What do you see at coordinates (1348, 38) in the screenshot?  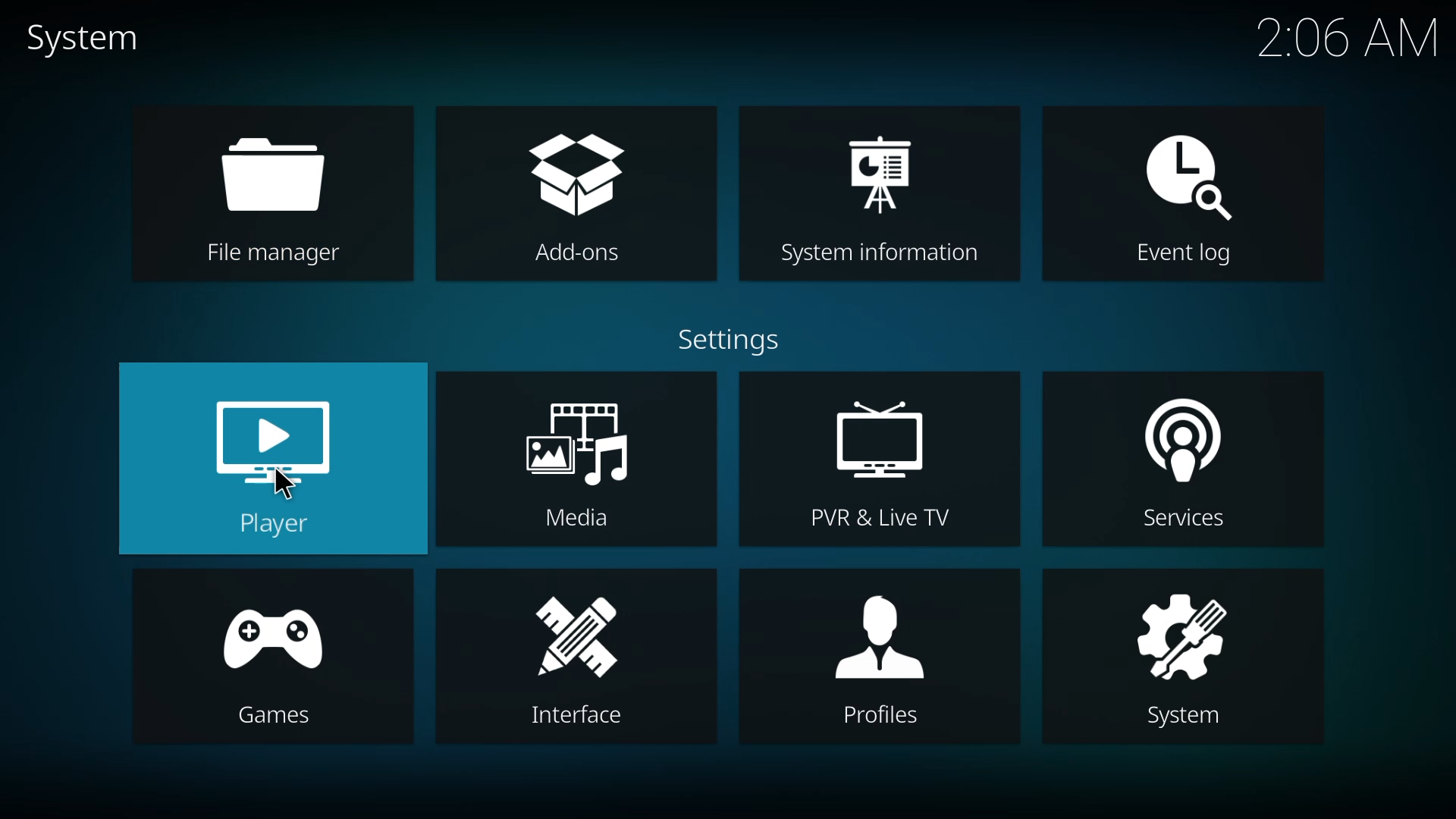 I see `time` at bounding box center [1348, 38].